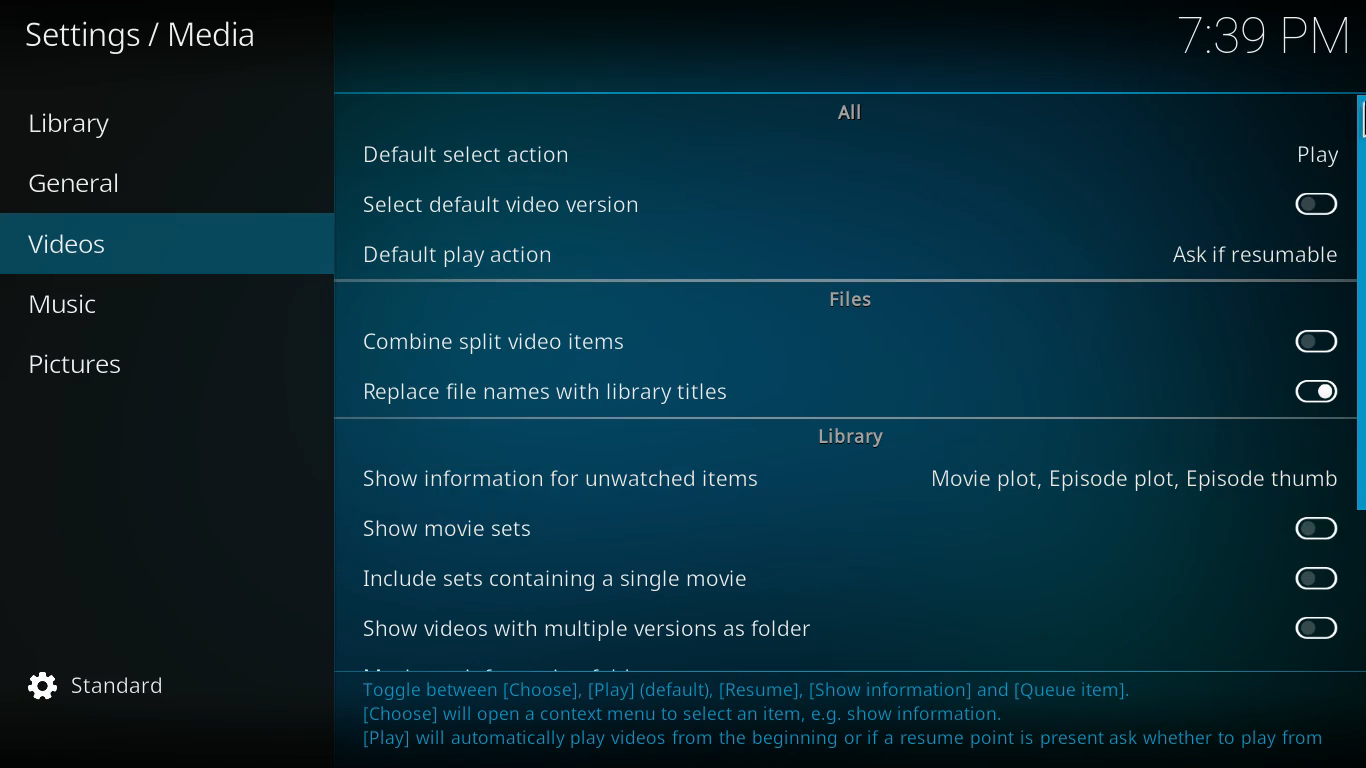  What do you see at coordinates (149, 365) in the screenshot?
I see `pictures` at bounding box center [149, 365].